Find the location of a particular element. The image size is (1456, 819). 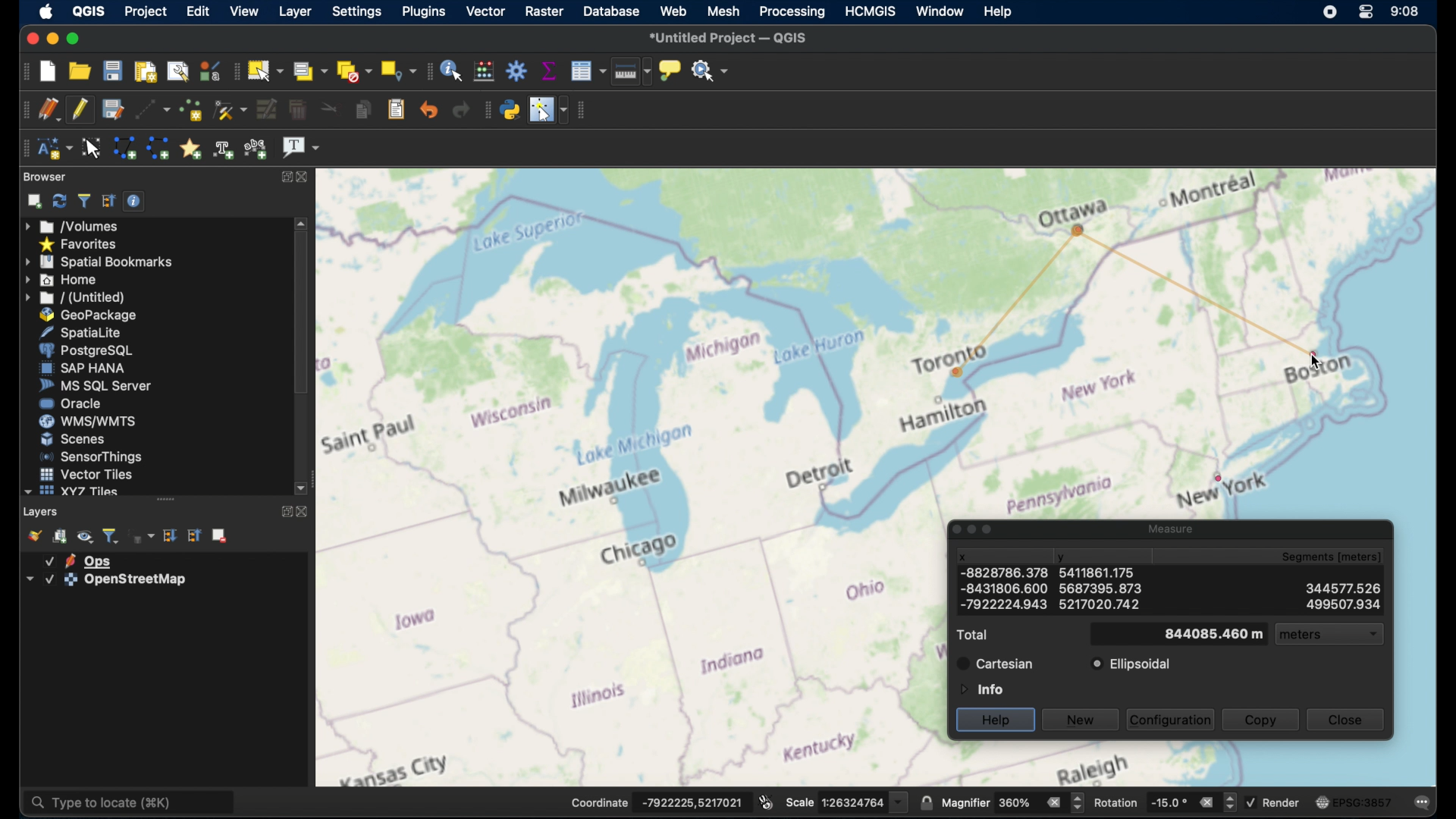

vertex tool is located at coordinates (231, 110).